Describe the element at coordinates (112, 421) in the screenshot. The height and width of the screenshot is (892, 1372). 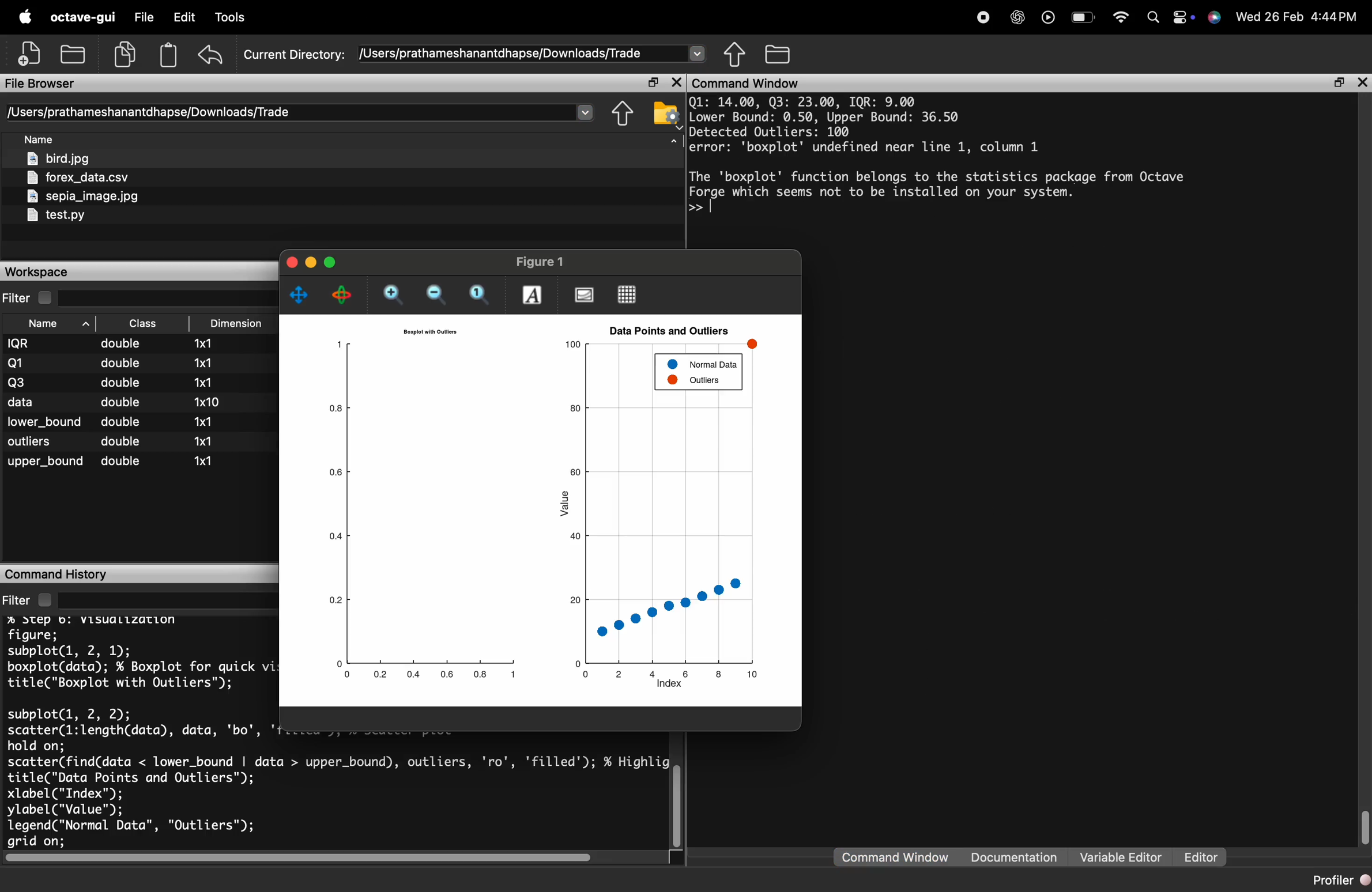
I see `lower_bound double 1x1` at that location.